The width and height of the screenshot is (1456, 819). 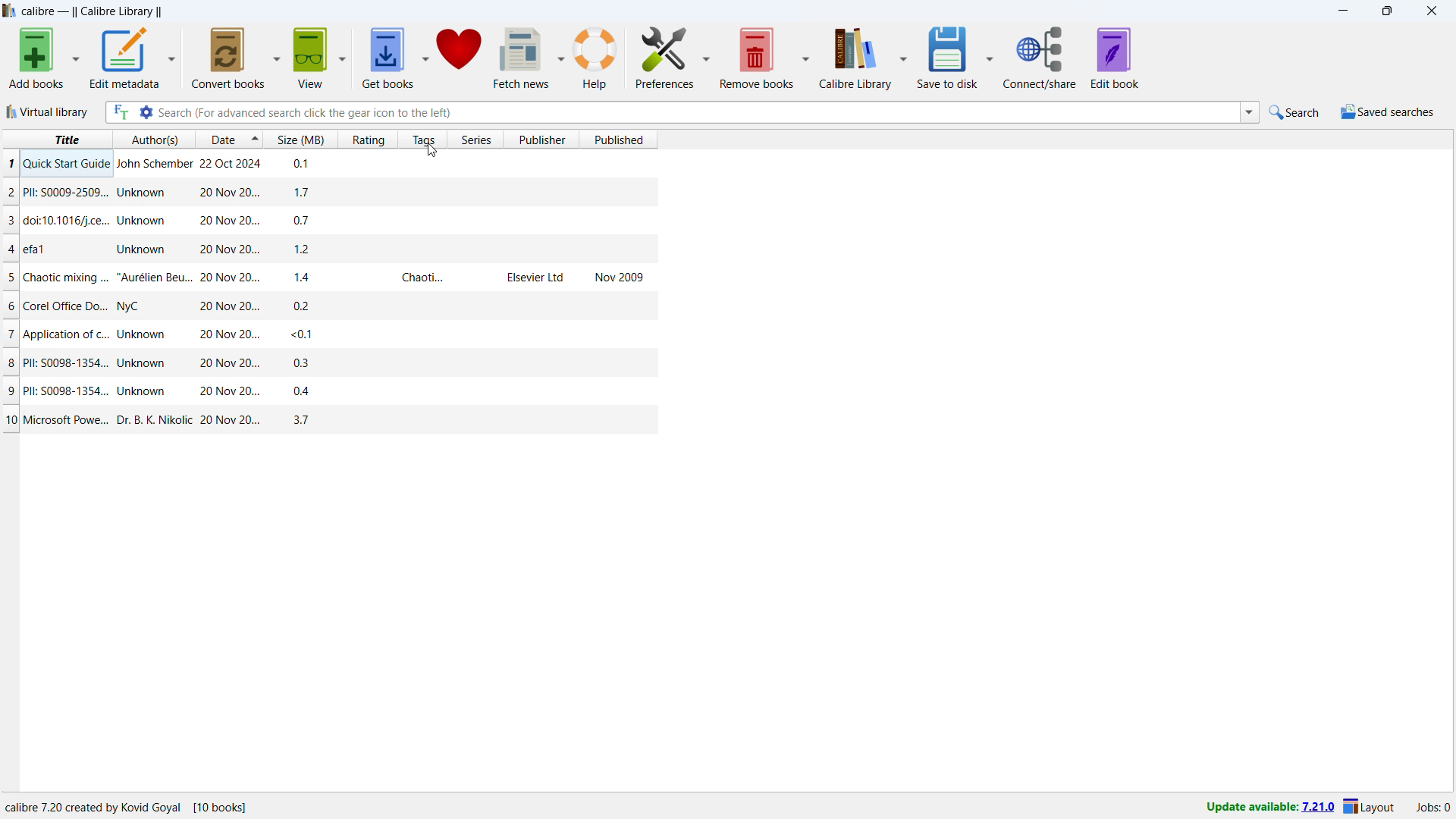 What do you see at coordinates (947, 57) in the screenshot?
I see `save to disk` at bounding box center [947, 57].